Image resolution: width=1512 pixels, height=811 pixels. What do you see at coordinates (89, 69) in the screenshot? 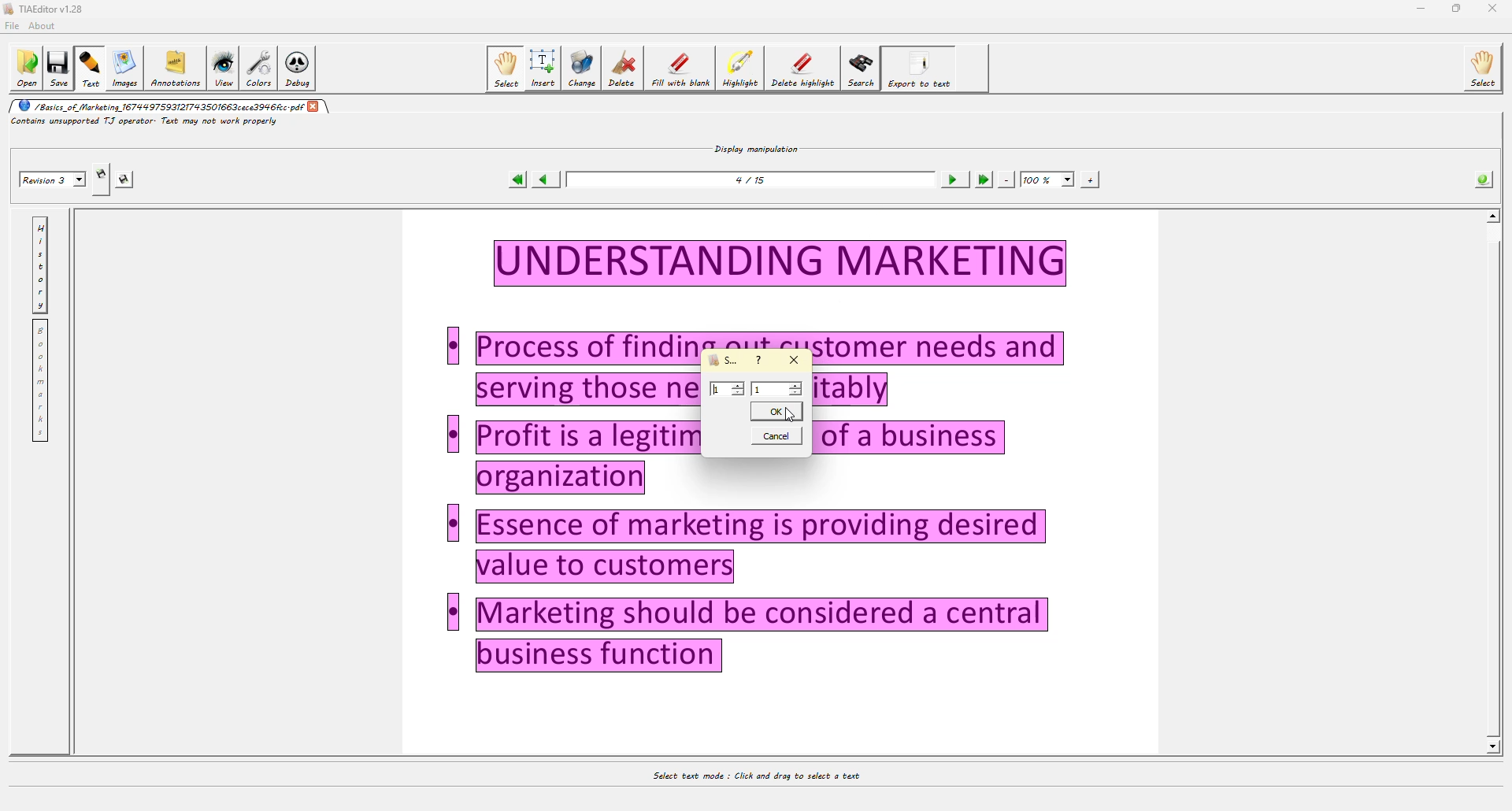
I see `text` at bounding box center [89, 69].